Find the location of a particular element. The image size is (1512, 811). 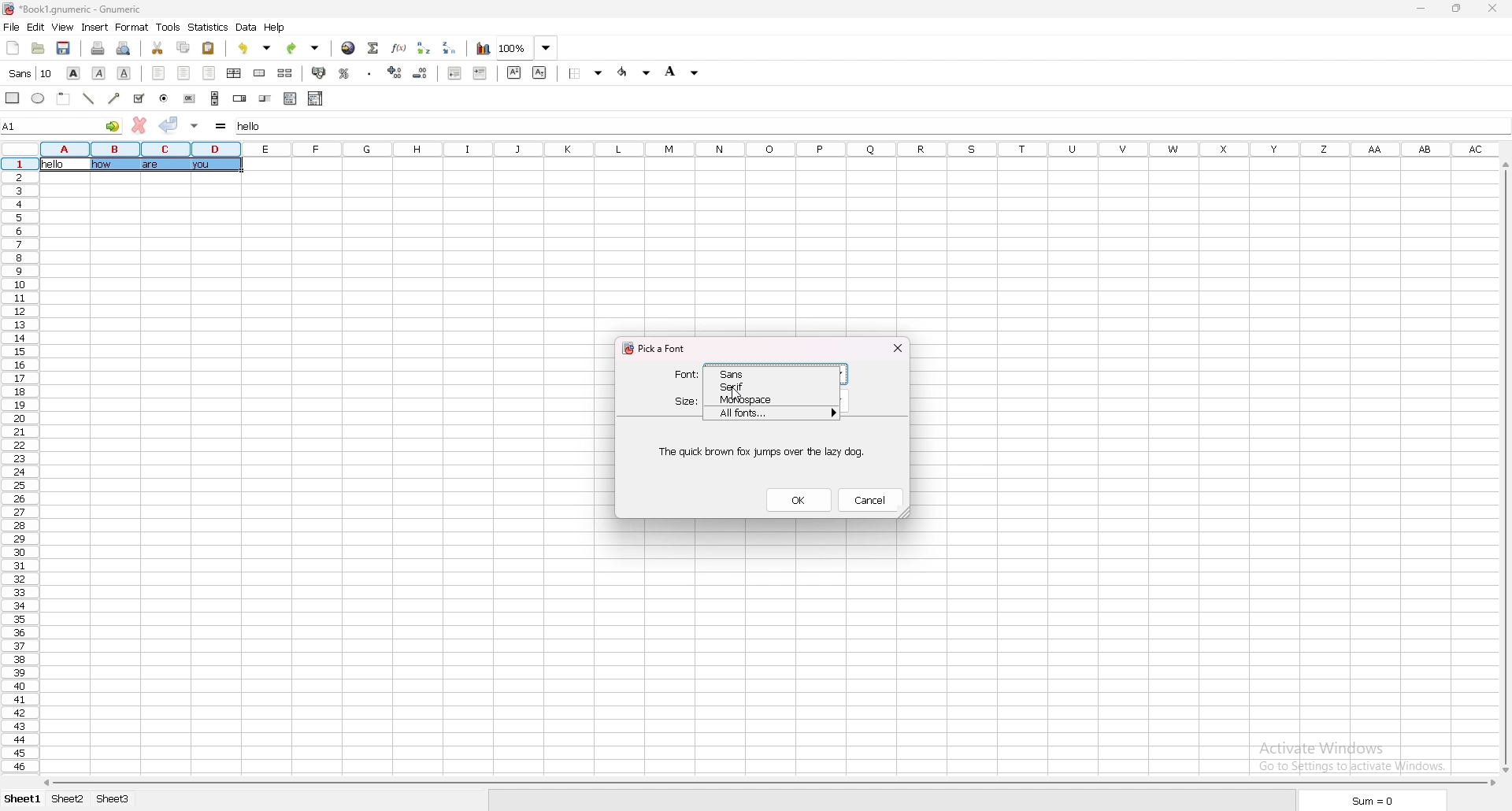

selected cell is located at coordinates (65, 165).